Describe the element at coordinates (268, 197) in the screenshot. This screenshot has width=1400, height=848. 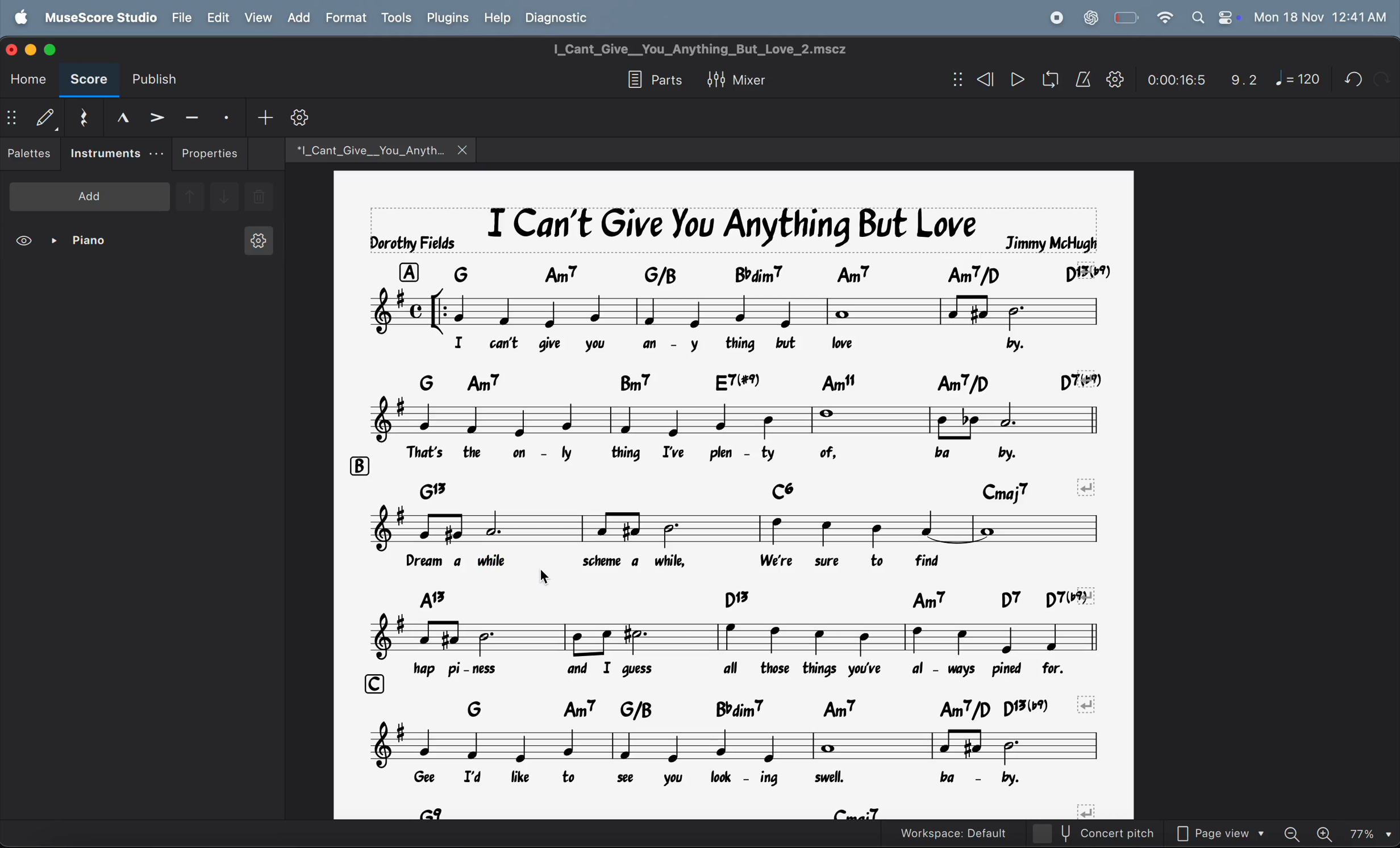
I see `delete` at that location.